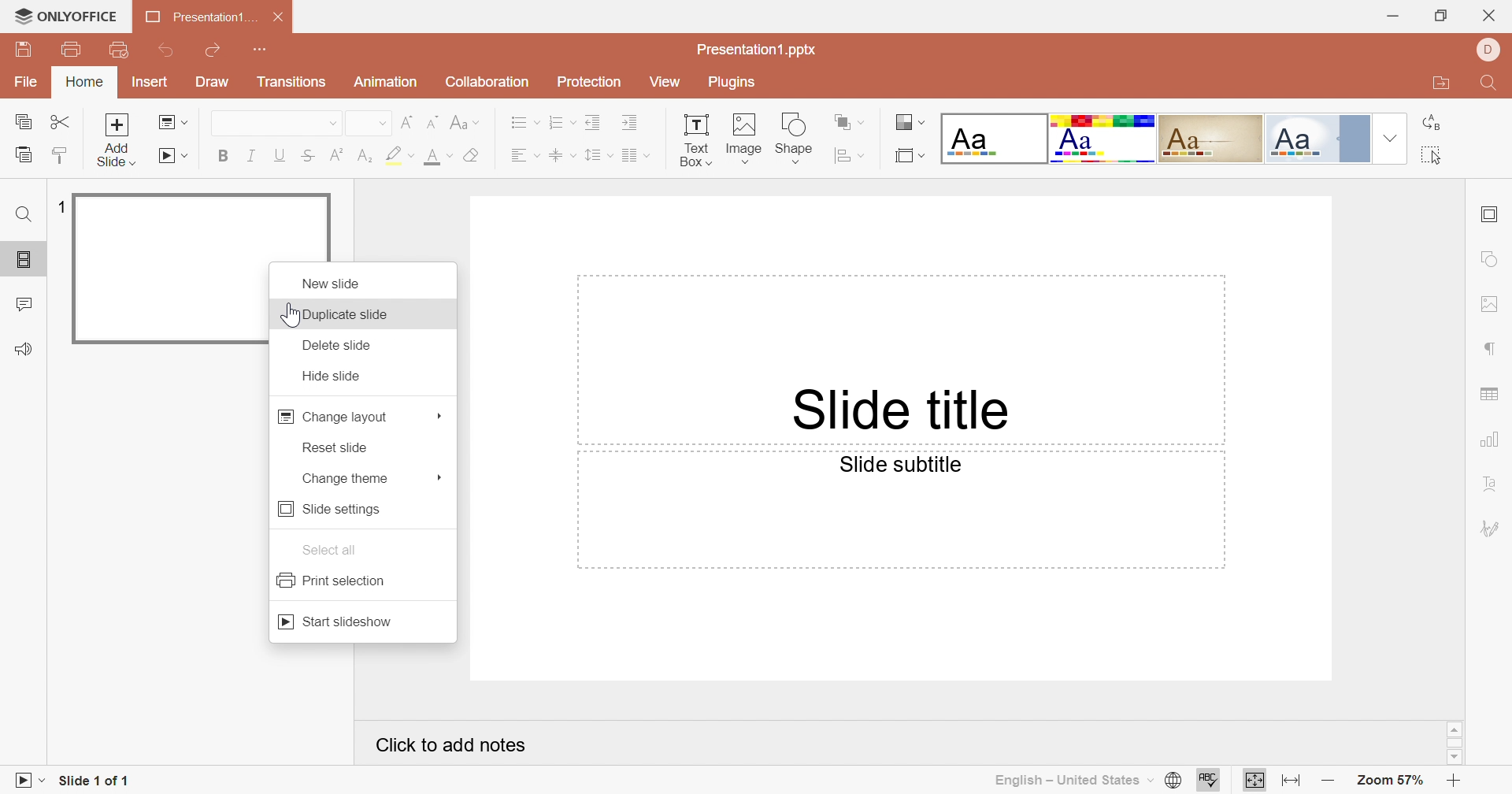  What do you see at coordinates (169, 50) in the screenshot?
I see `Undo` at bounding box center [169, 50].